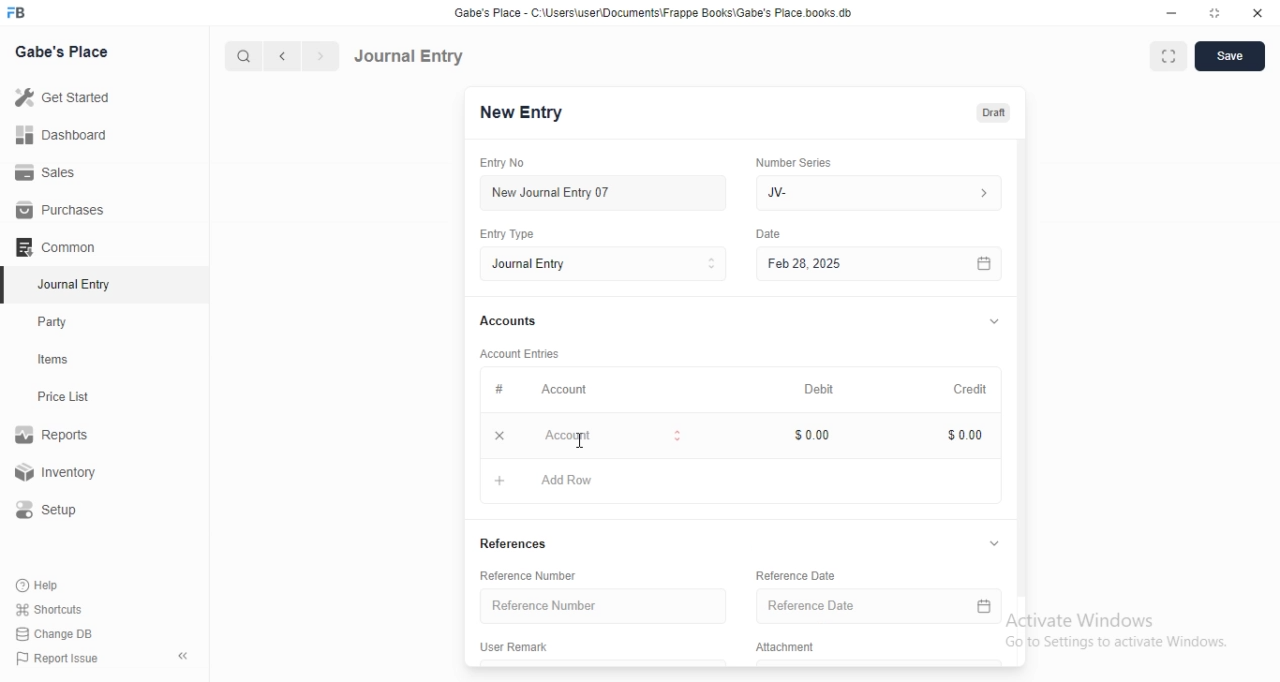 This screenshot has width=1280, height=682. I want to click on save, so click(1231, 56).